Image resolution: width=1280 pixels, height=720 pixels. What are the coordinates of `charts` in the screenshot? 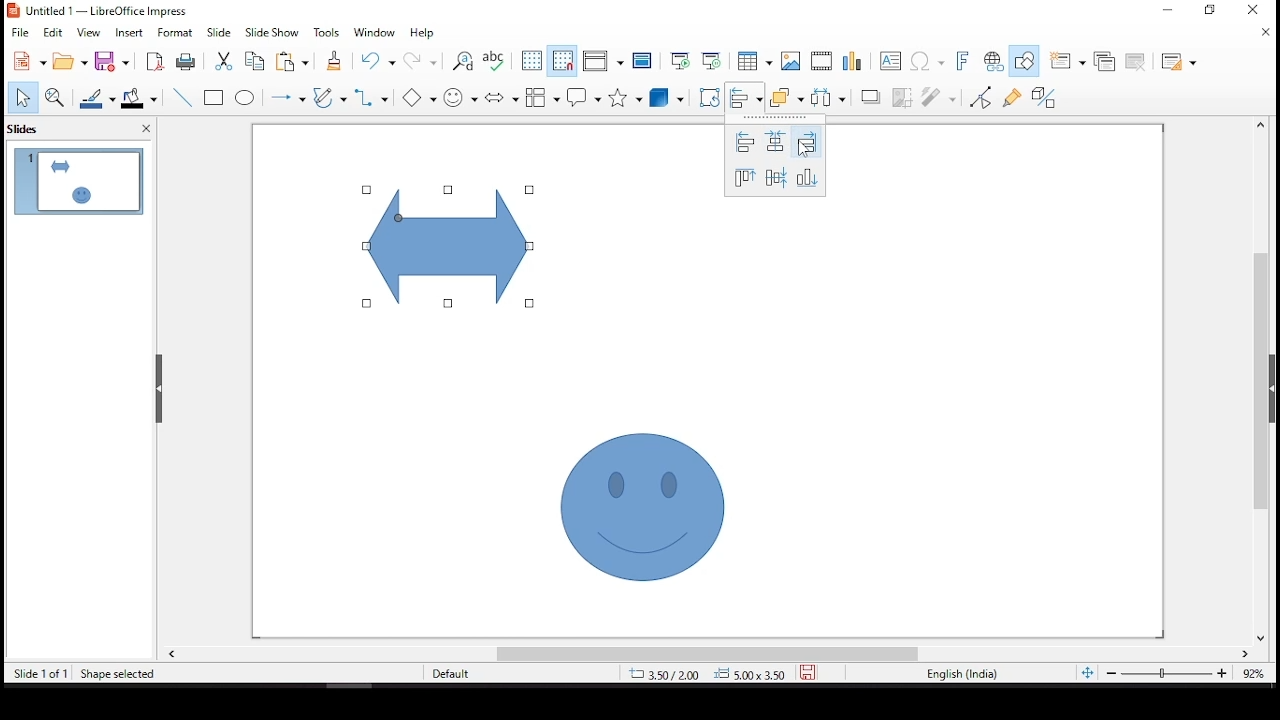 It's located at (855, 62).